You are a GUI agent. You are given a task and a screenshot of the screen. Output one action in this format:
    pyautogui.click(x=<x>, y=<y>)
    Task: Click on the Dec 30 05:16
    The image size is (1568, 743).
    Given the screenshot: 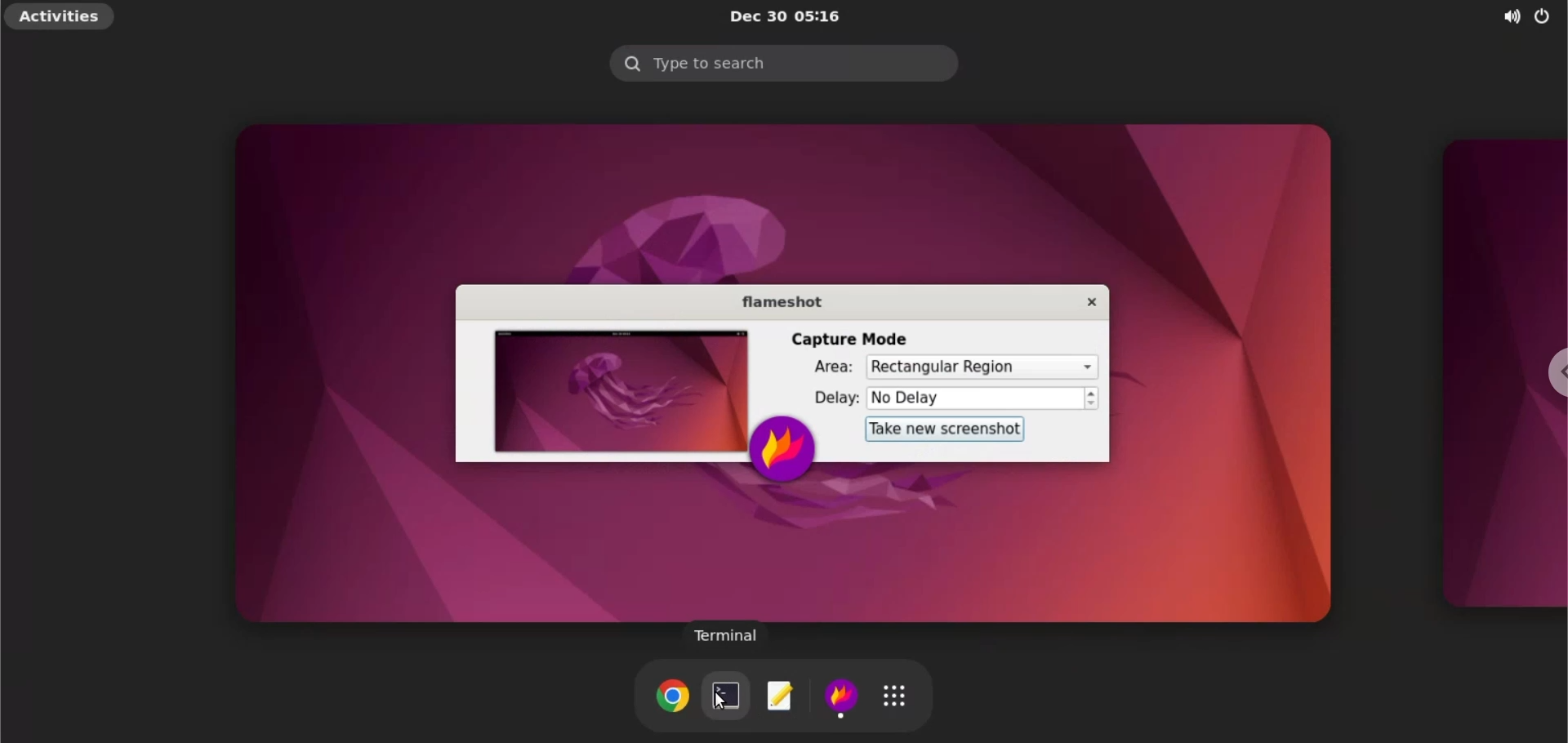 What is the action you would take?
    pyautogui.click(x=792, y=16)
    